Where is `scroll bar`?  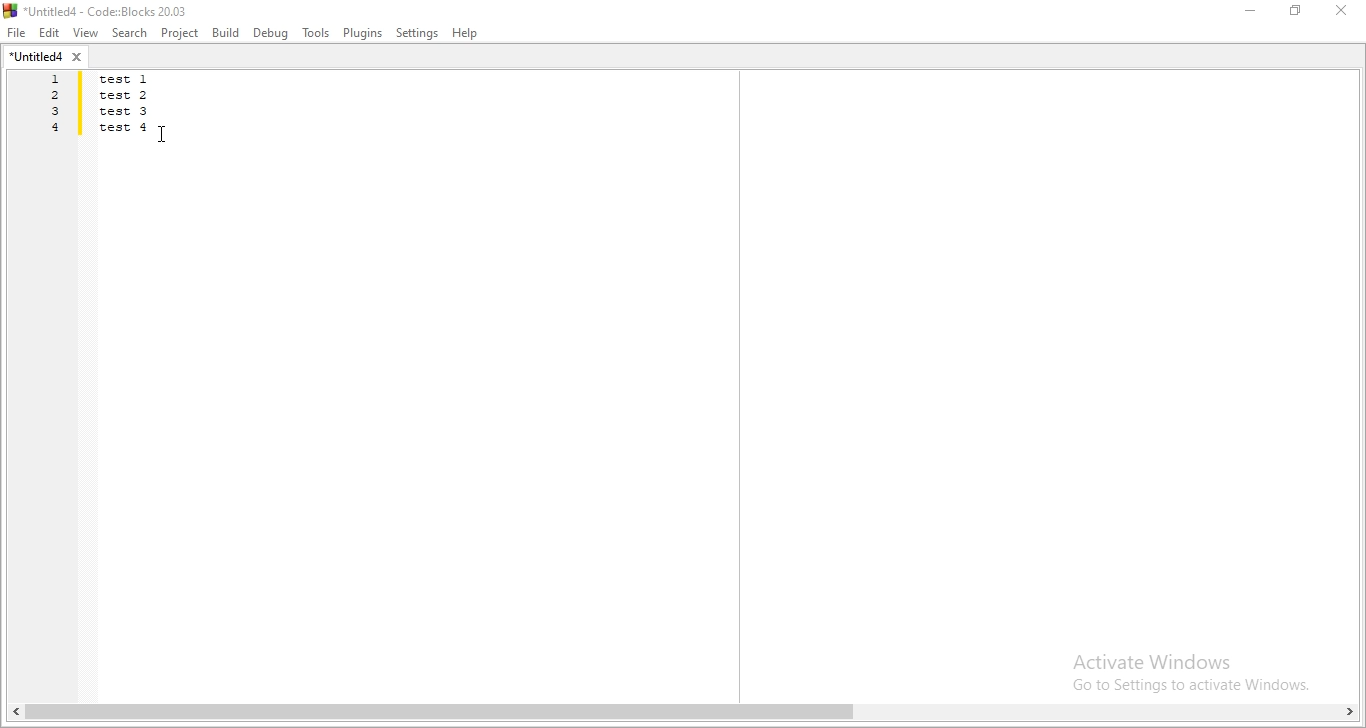
scroll bar is located at coordinates (683, 714).